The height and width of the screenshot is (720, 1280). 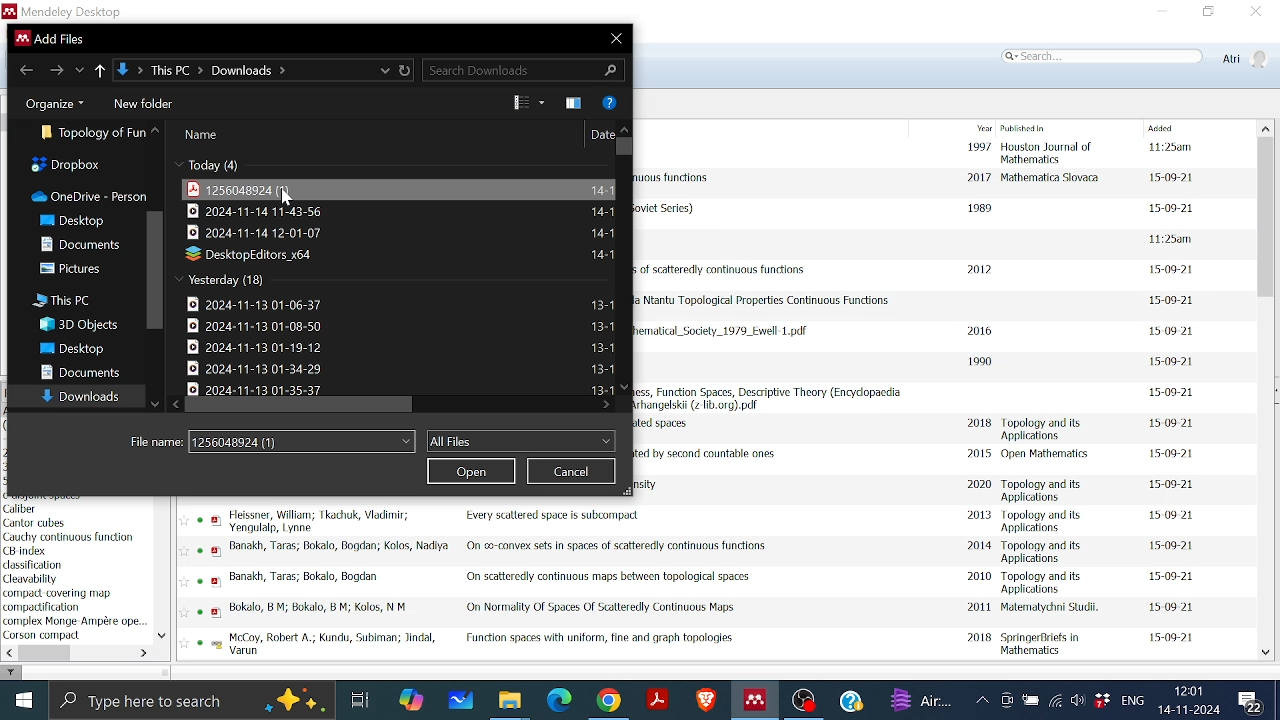 What do you see at coordinates (1043, 644) in the screenshot?
I see `Published in` at bounding box center [1043, 644].